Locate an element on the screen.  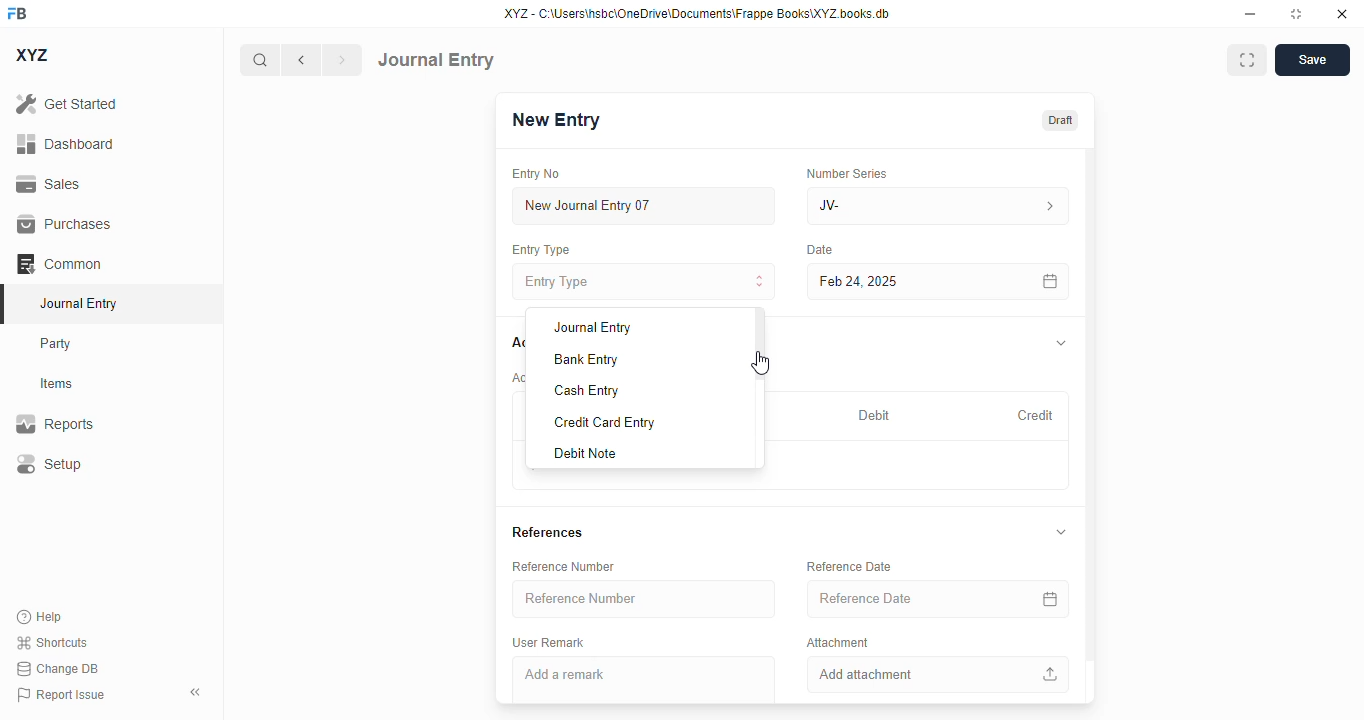
scroll bar is located at coordinates (761, 389).